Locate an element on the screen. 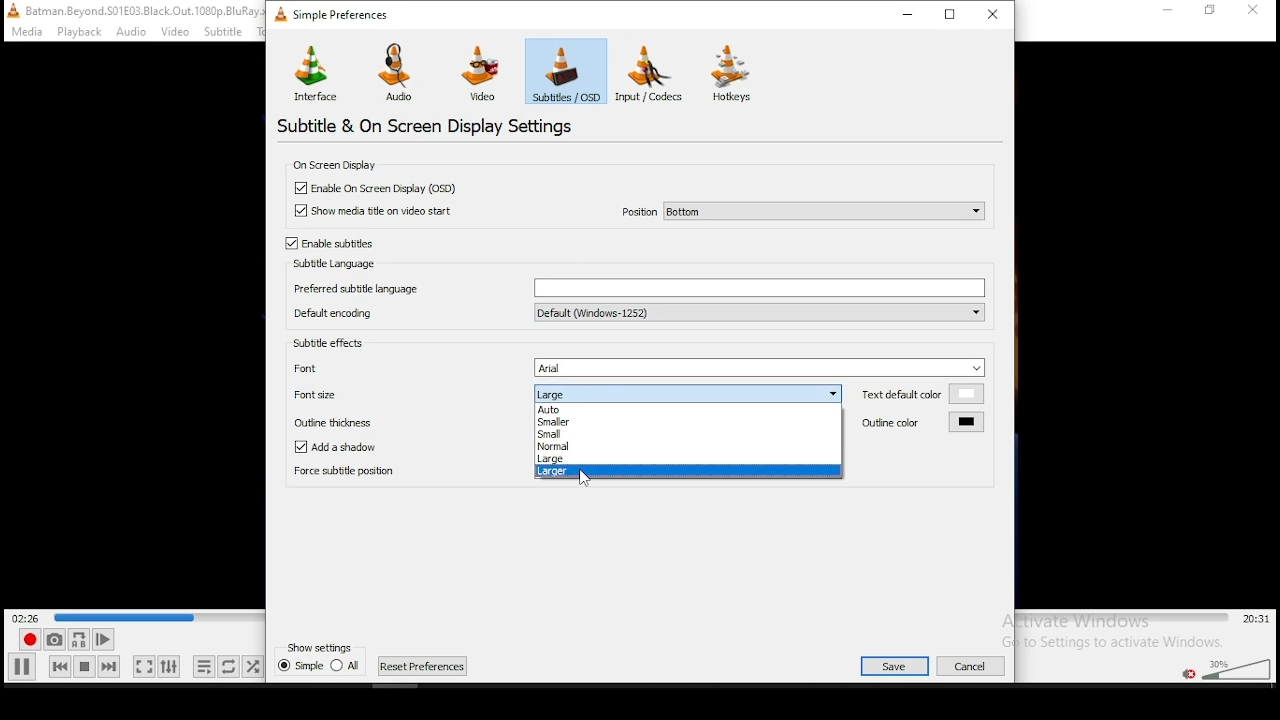 This screenshot has height=720, width=1280. toggle playlist is located at coordinates (204, 666).